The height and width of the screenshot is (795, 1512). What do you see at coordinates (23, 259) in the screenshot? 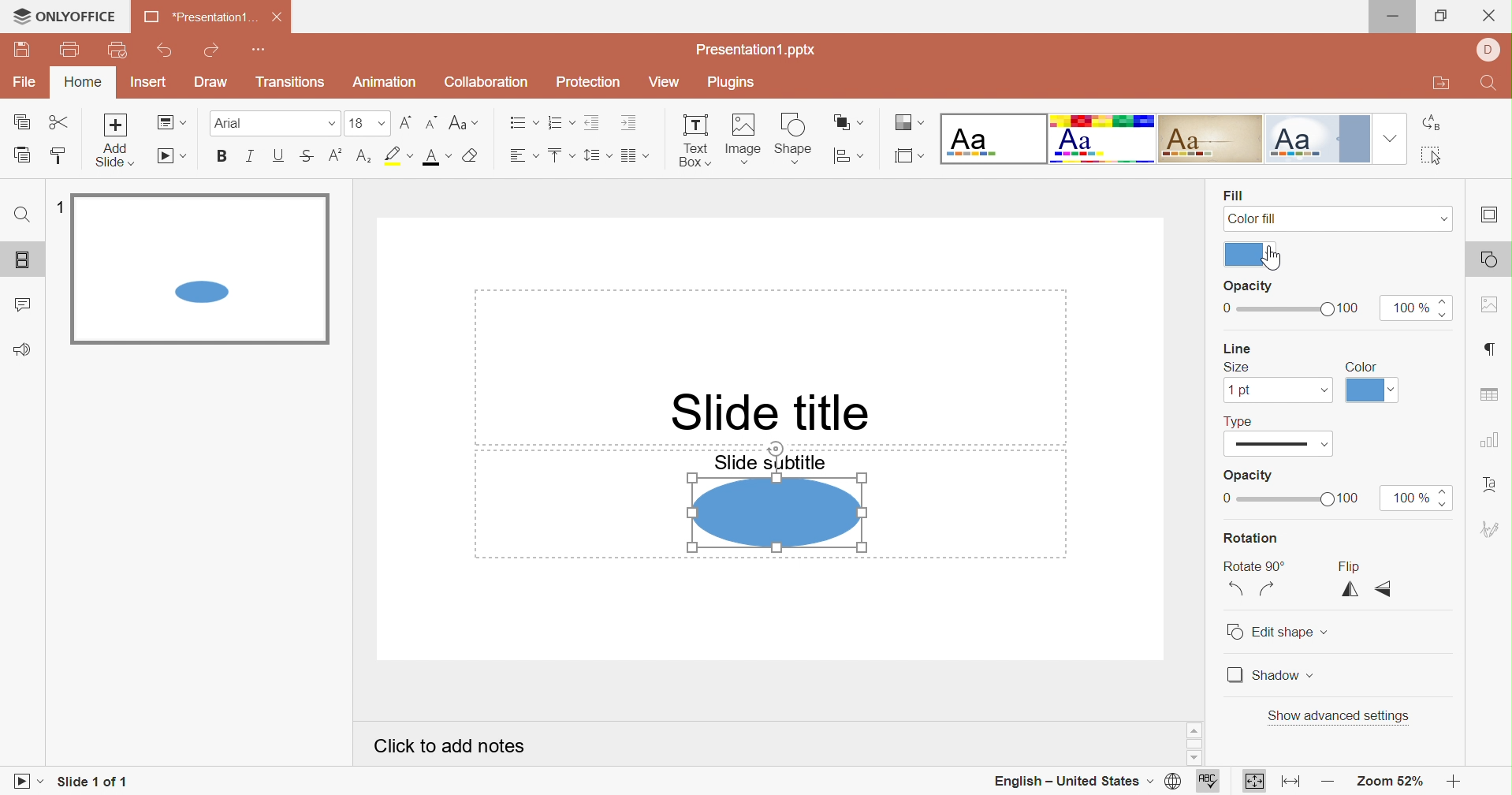
I see `Slides` at bounding box center [23, 259].